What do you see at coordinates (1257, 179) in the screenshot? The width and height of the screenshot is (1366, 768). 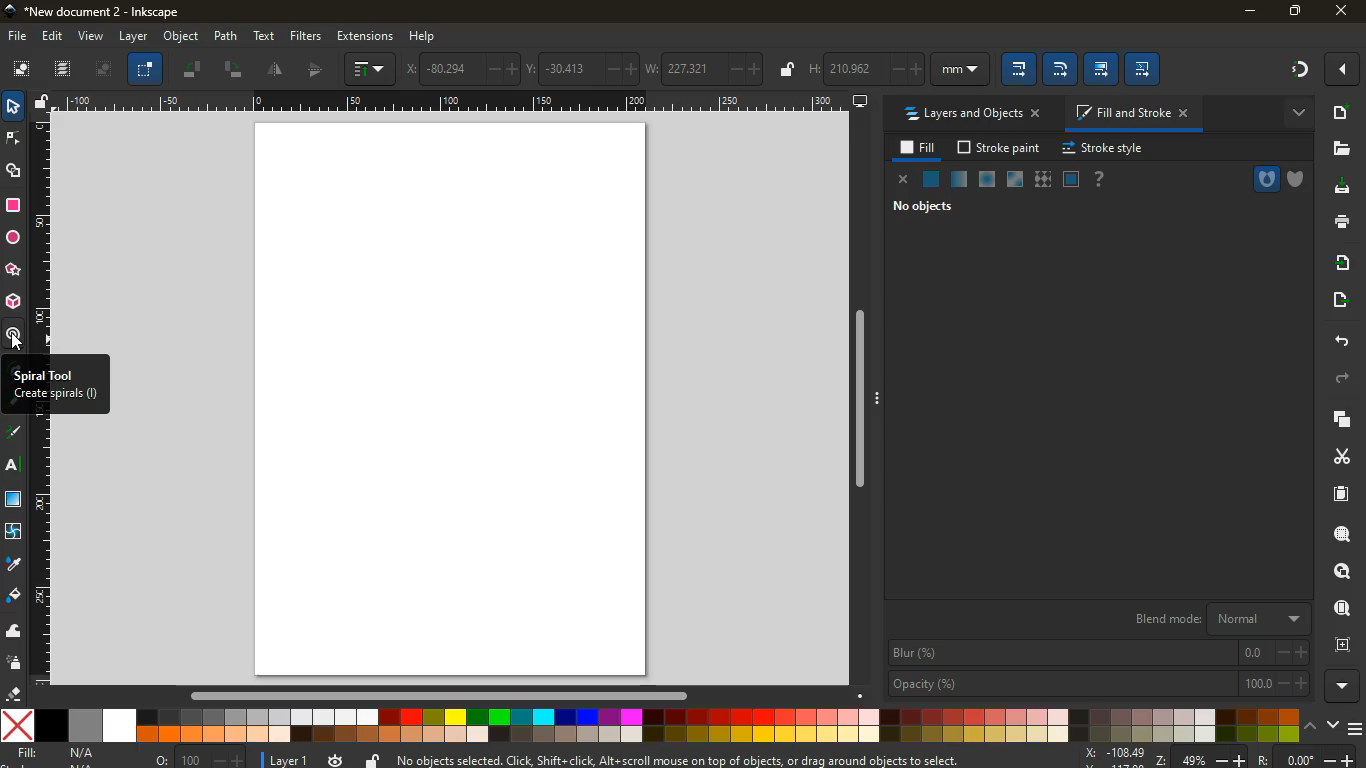 I see `hole` at bounding box center [1257, 179].